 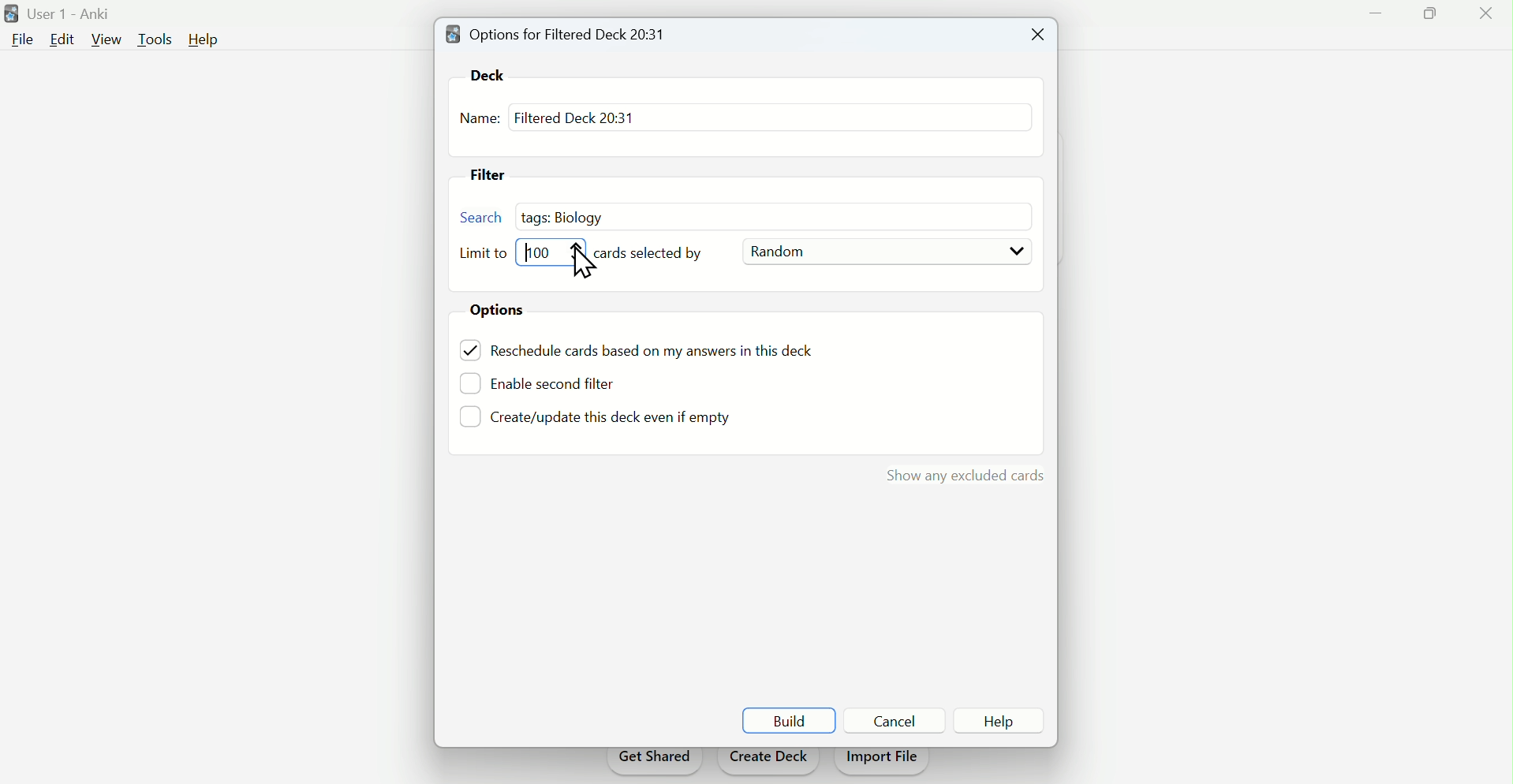 What do you see at coordinates (555, 252) in the screenshot?
I see `Limit bar` at bounding box center [555, 252].